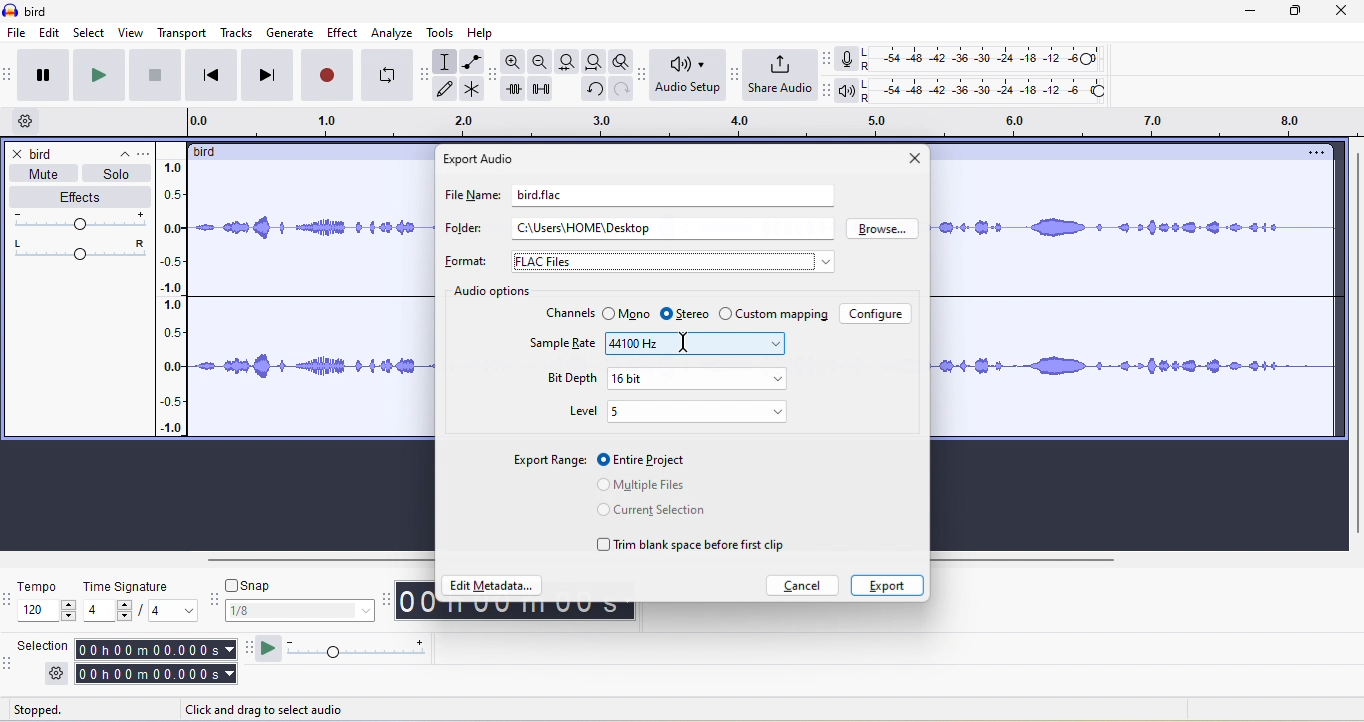 This screenshot has width=1364, height=722. Describe the element at coordinates (991, 92) in the screenshot. I see `playback level` at that location.